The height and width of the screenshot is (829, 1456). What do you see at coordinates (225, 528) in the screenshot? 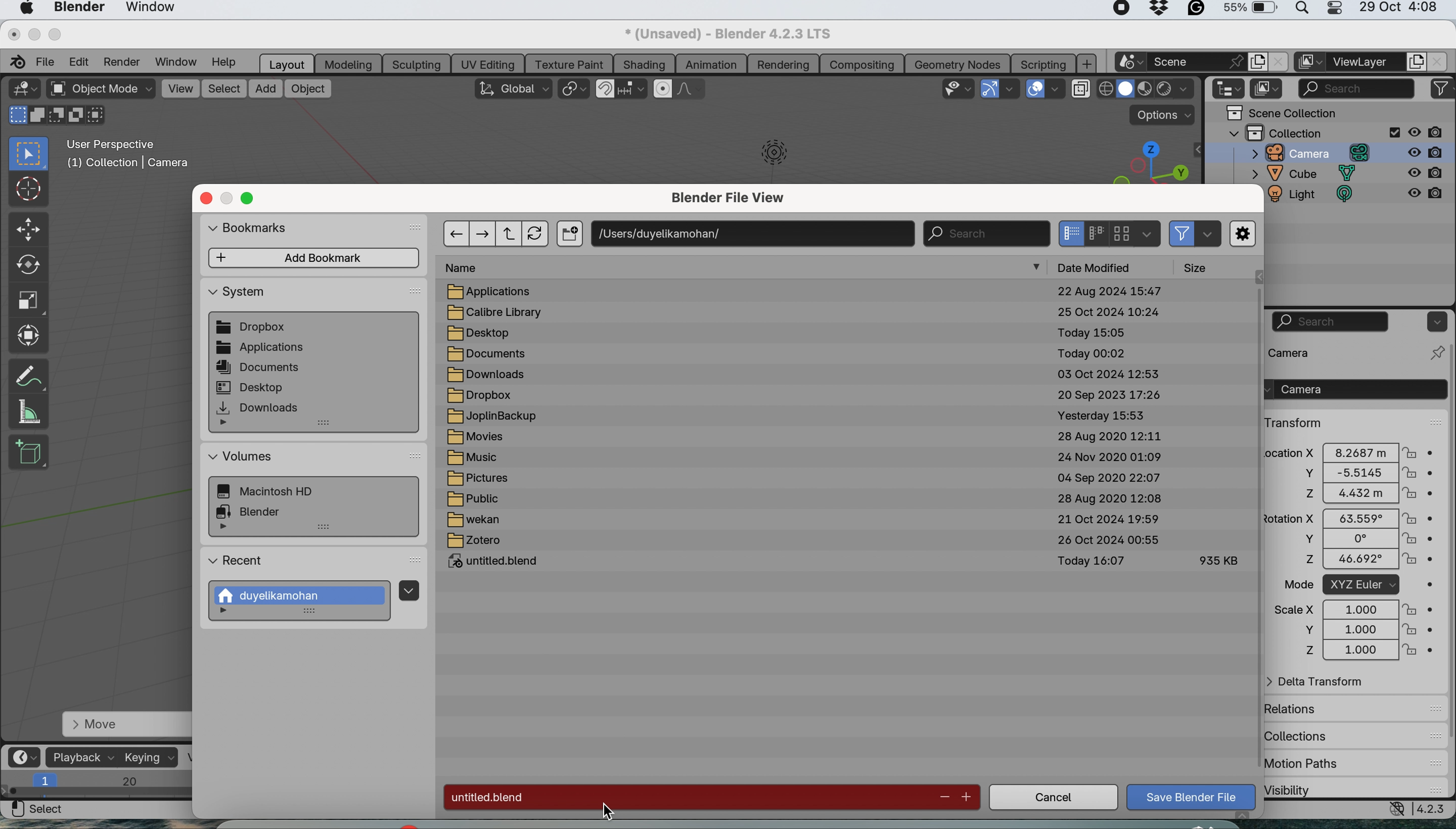
I see `more` at bounding box center [225, 528].